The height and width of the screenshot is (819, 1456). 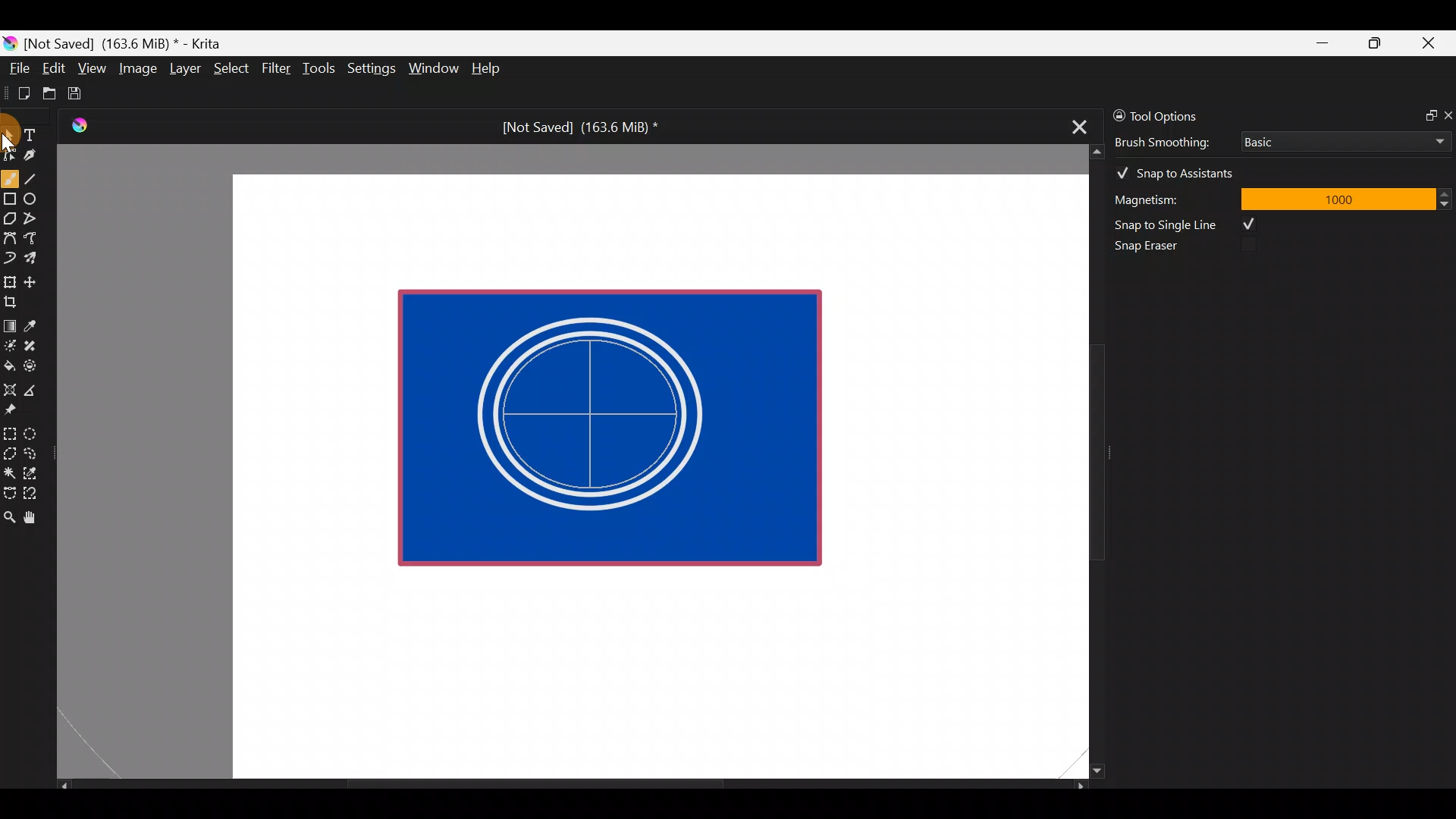 What do you see at coordinates (1323, 43) in the screenshot?
I see `Minimize` at bounding box center [1323, 43].